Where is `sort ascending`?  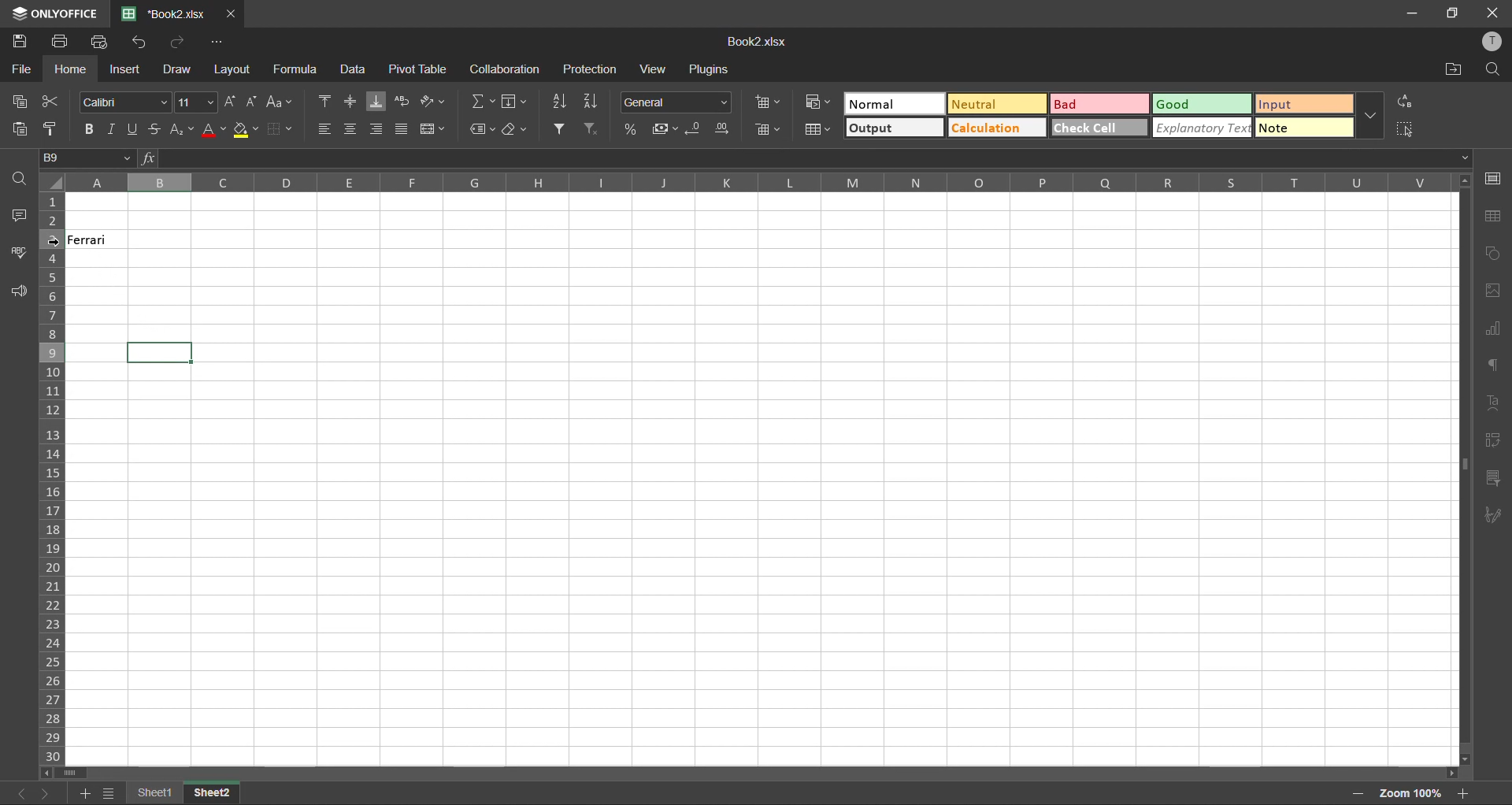 sort ascending is located at coordinates (562, 101).